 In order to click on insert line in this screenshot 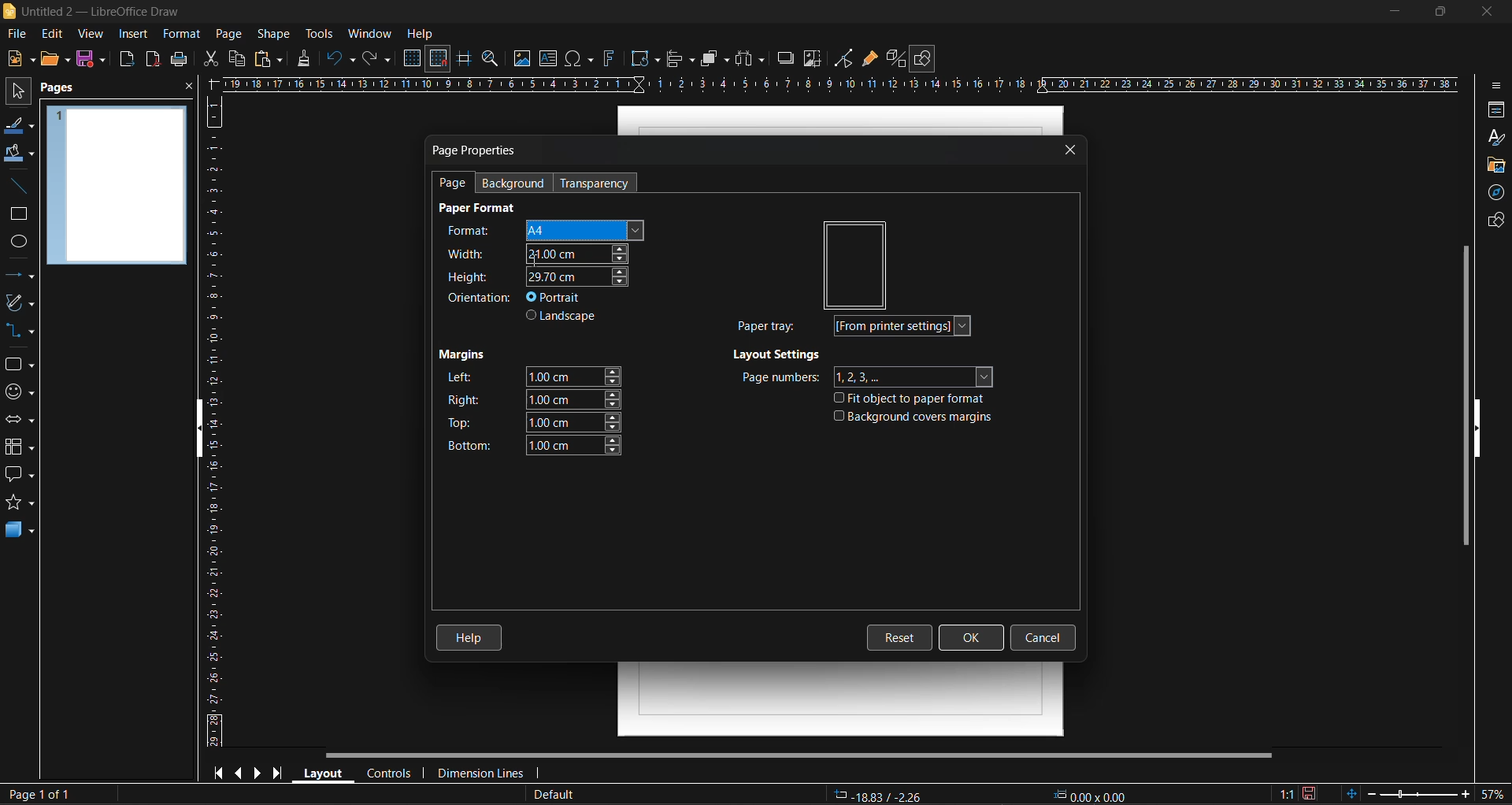, I will do `click(16, 187)`.